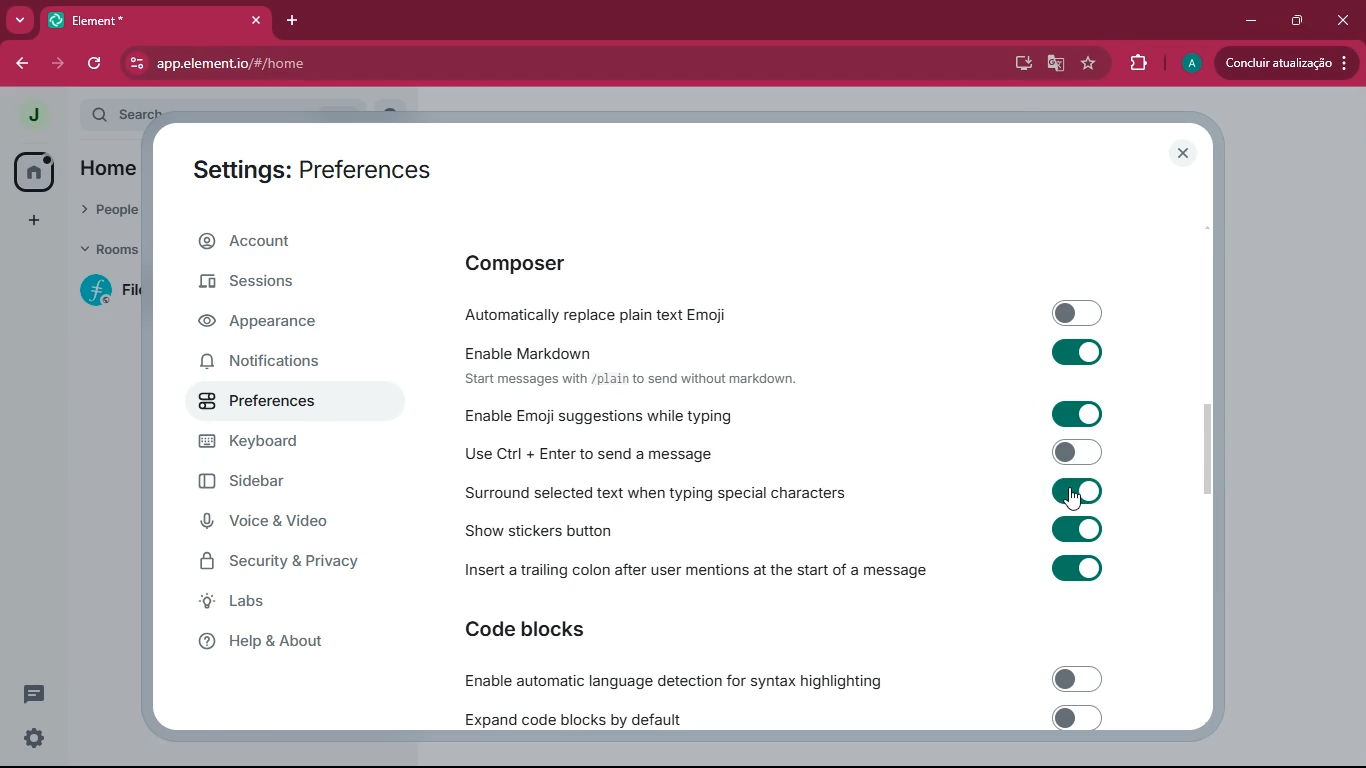 Image resolution: width=1366 pixels, height=768 pixels. I want to click on add tab, so click(296, 21).